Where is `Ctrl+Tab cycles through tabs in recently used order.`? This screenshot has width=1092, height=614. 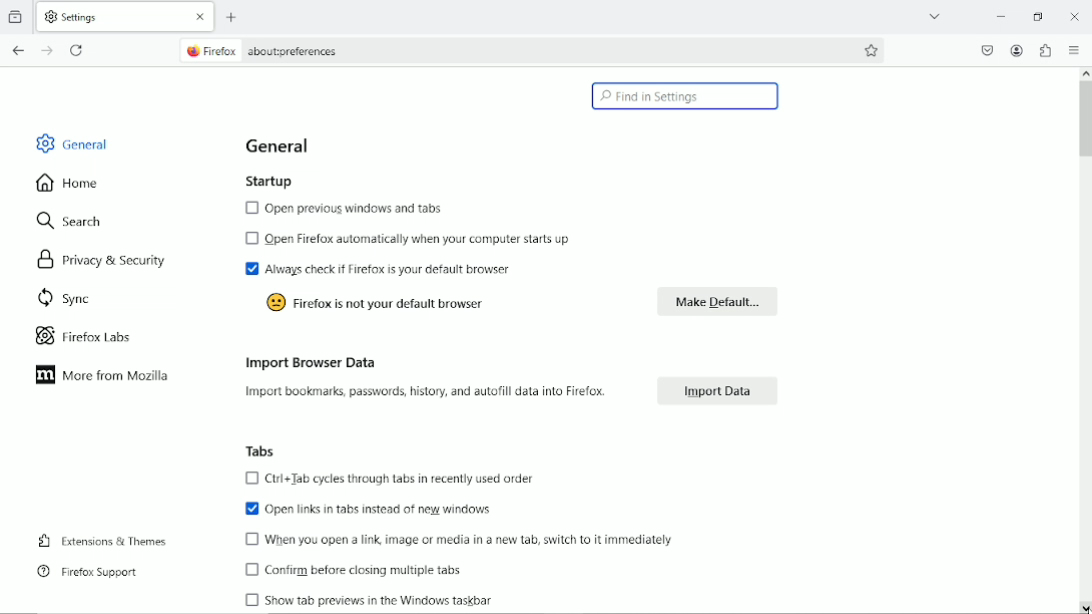 Ctrl+Tab cycles through tabs in recently used order. is located at coordinates (390, 480).